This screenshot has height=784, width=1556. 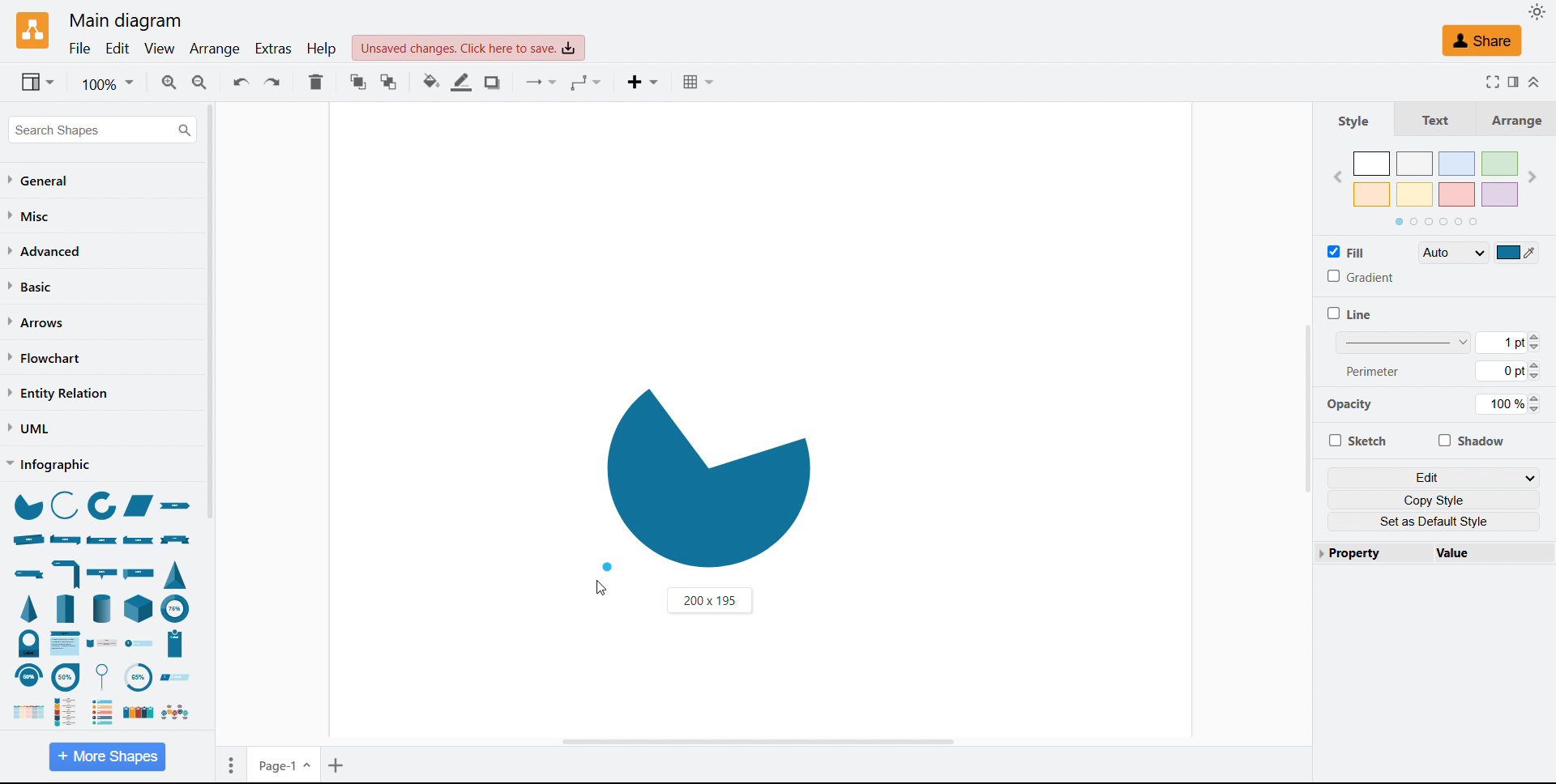 What do you see at coordinates (176, 573) in the screenshot?
I see `triangle` at bounding box center [176, 573].